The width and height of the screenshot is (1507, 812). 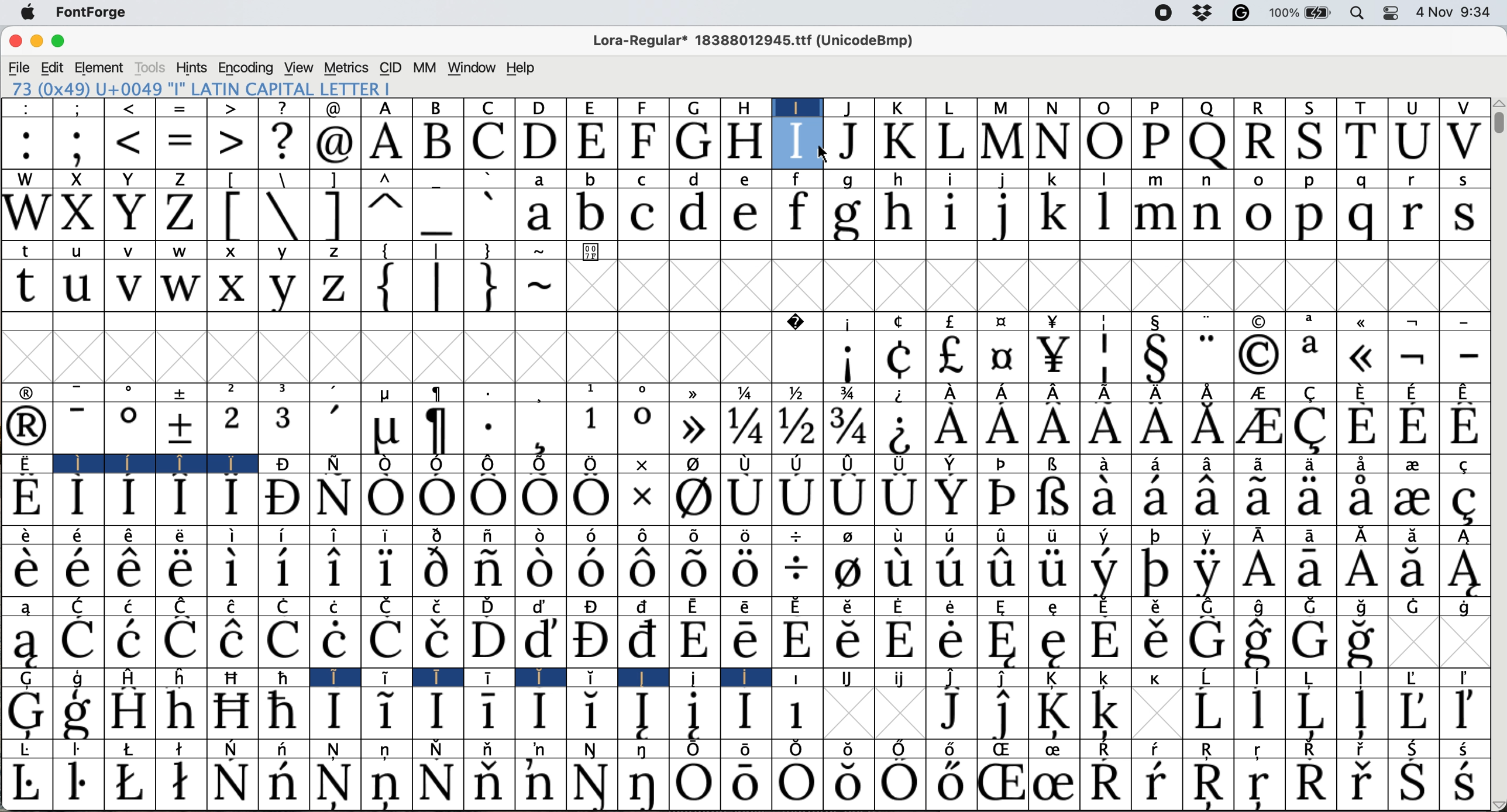 I want to click on @, so click(x=333, y=144).